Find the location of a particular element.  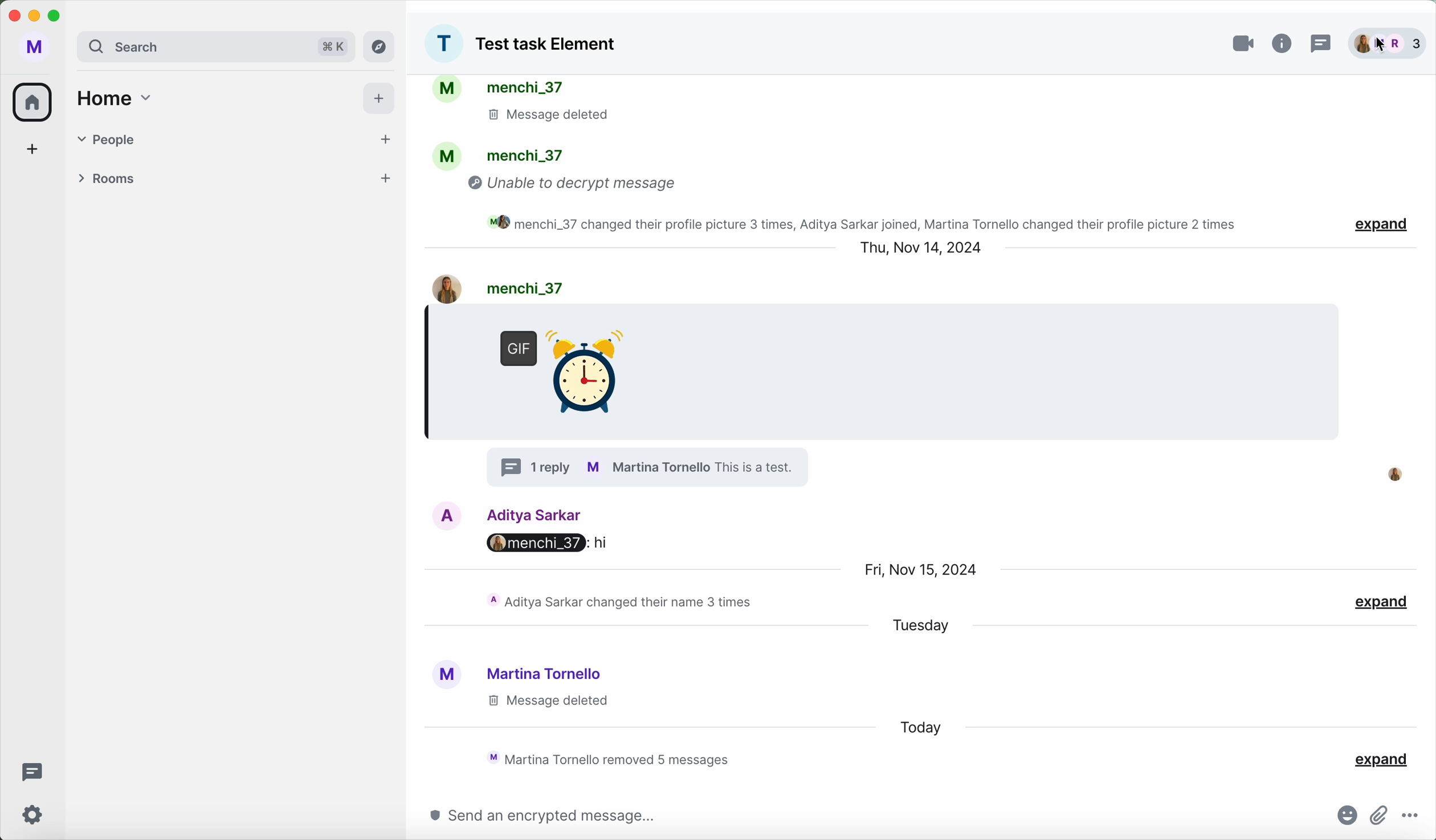

profile picture is located at coordinates (1394, 474).